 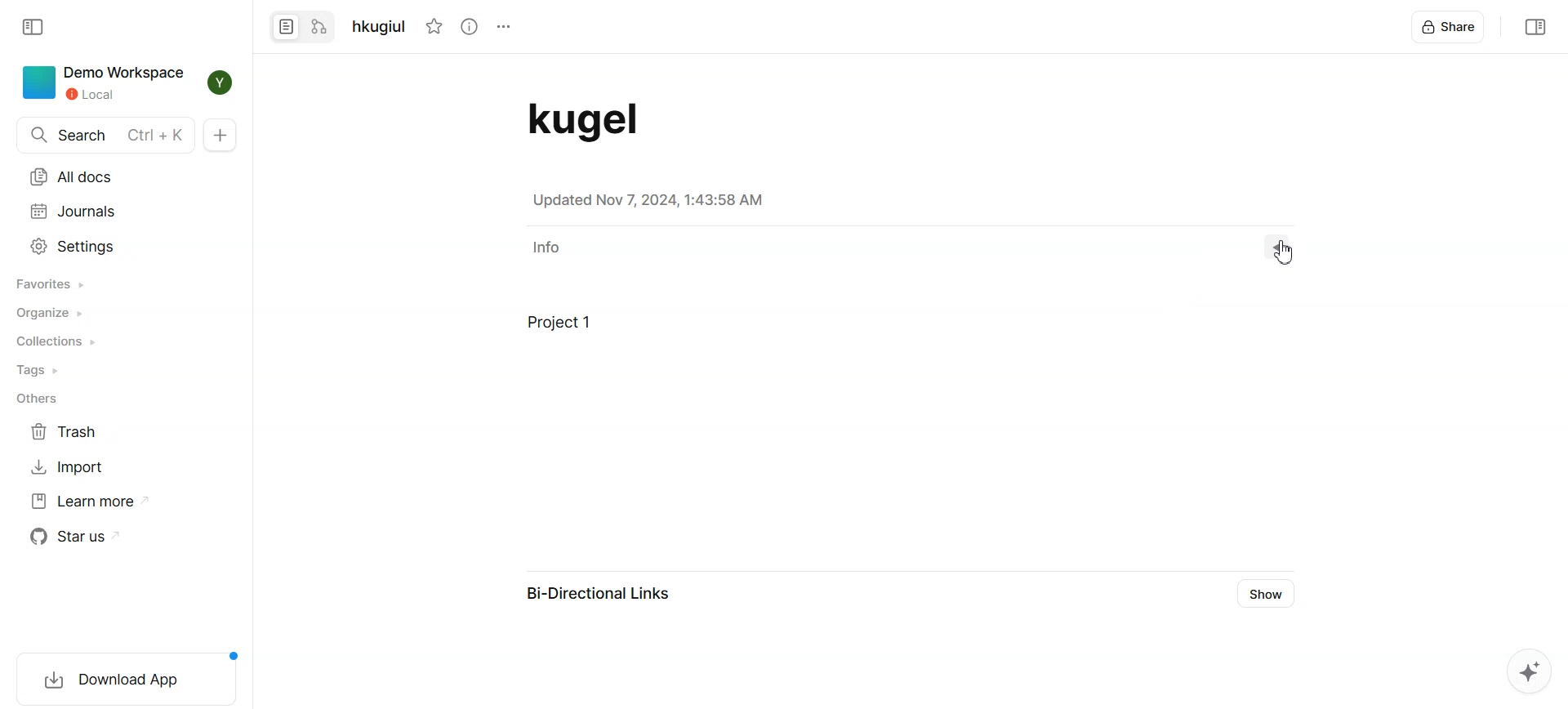 I want to click on New doc, so click(x=220, y=134).